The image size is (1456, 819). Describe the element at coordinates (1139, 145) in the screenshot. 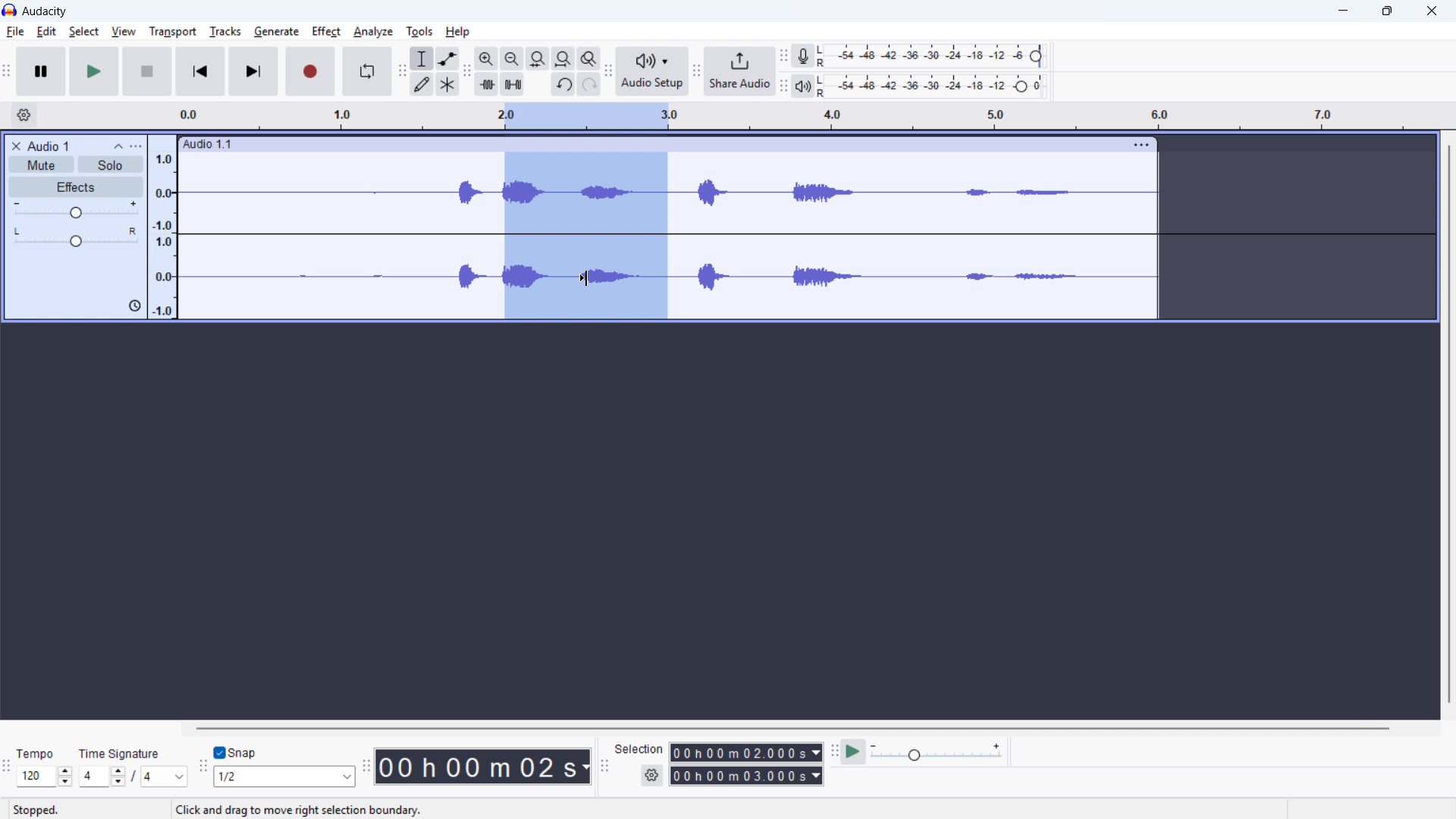

I see `Track options` at that location.